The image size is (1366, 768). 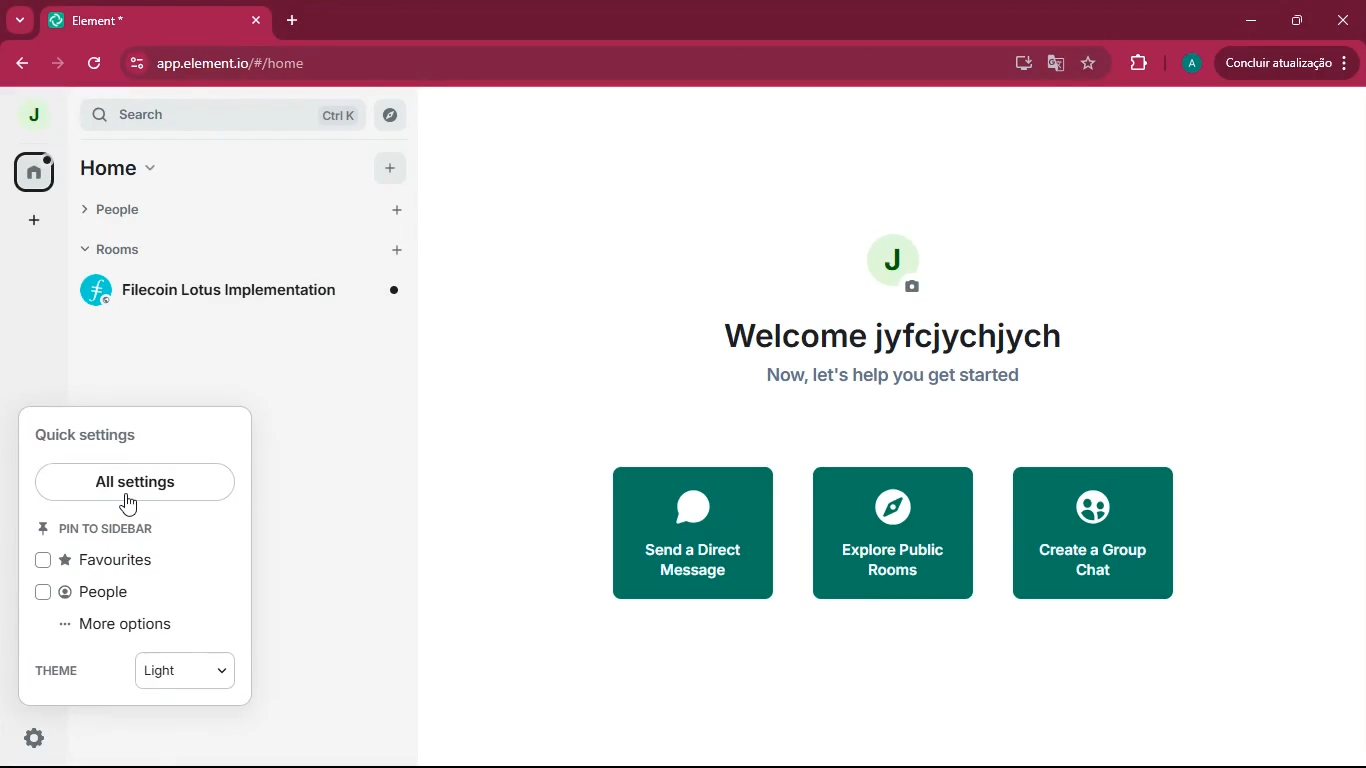 What do you see at coordinates (21, 63) in the screenshot?
I see `back` at bounding box center [21, 63].